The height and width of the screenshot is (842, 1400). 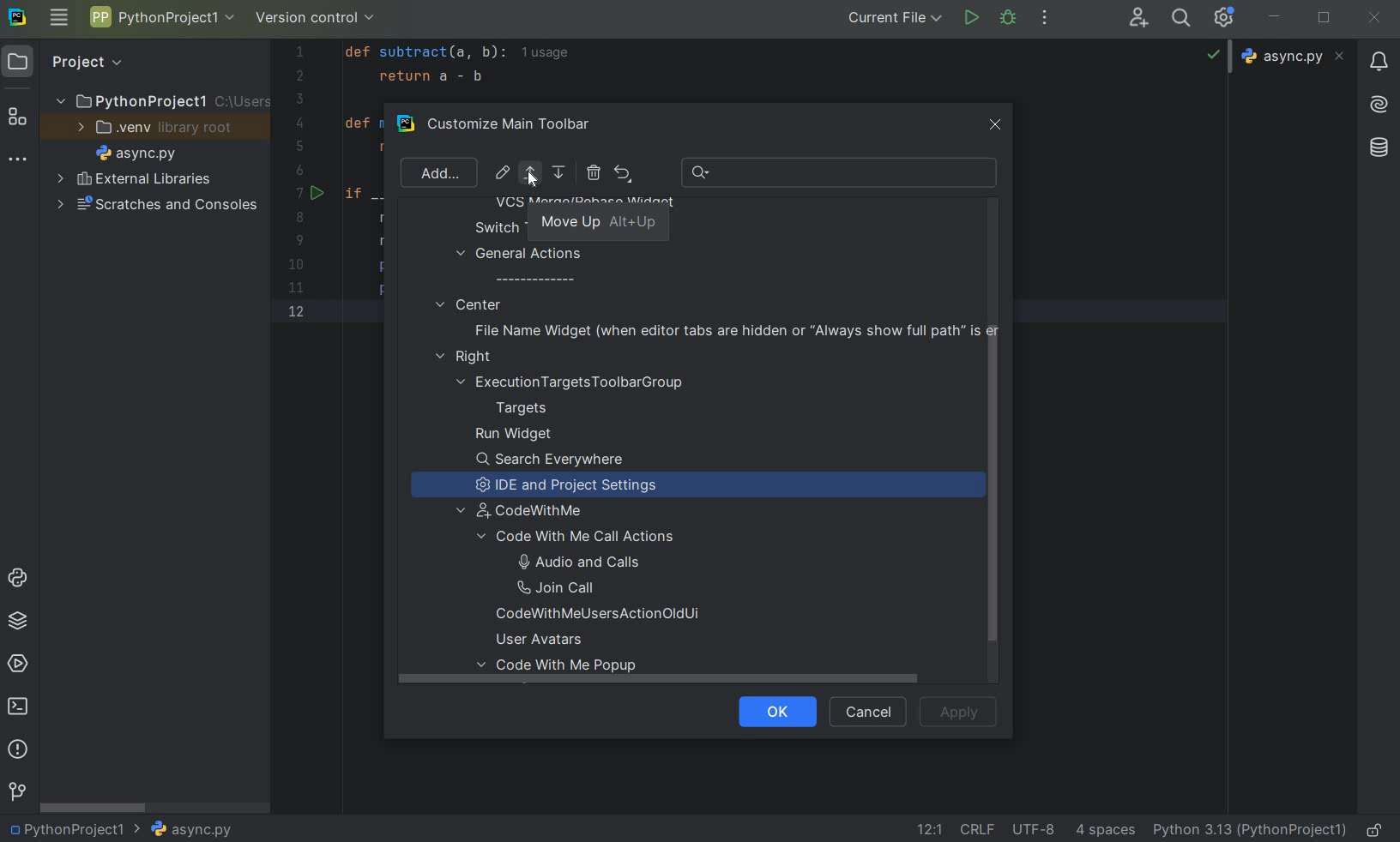 I want to click on PROJECT NAME, so click(x=160, y=99).